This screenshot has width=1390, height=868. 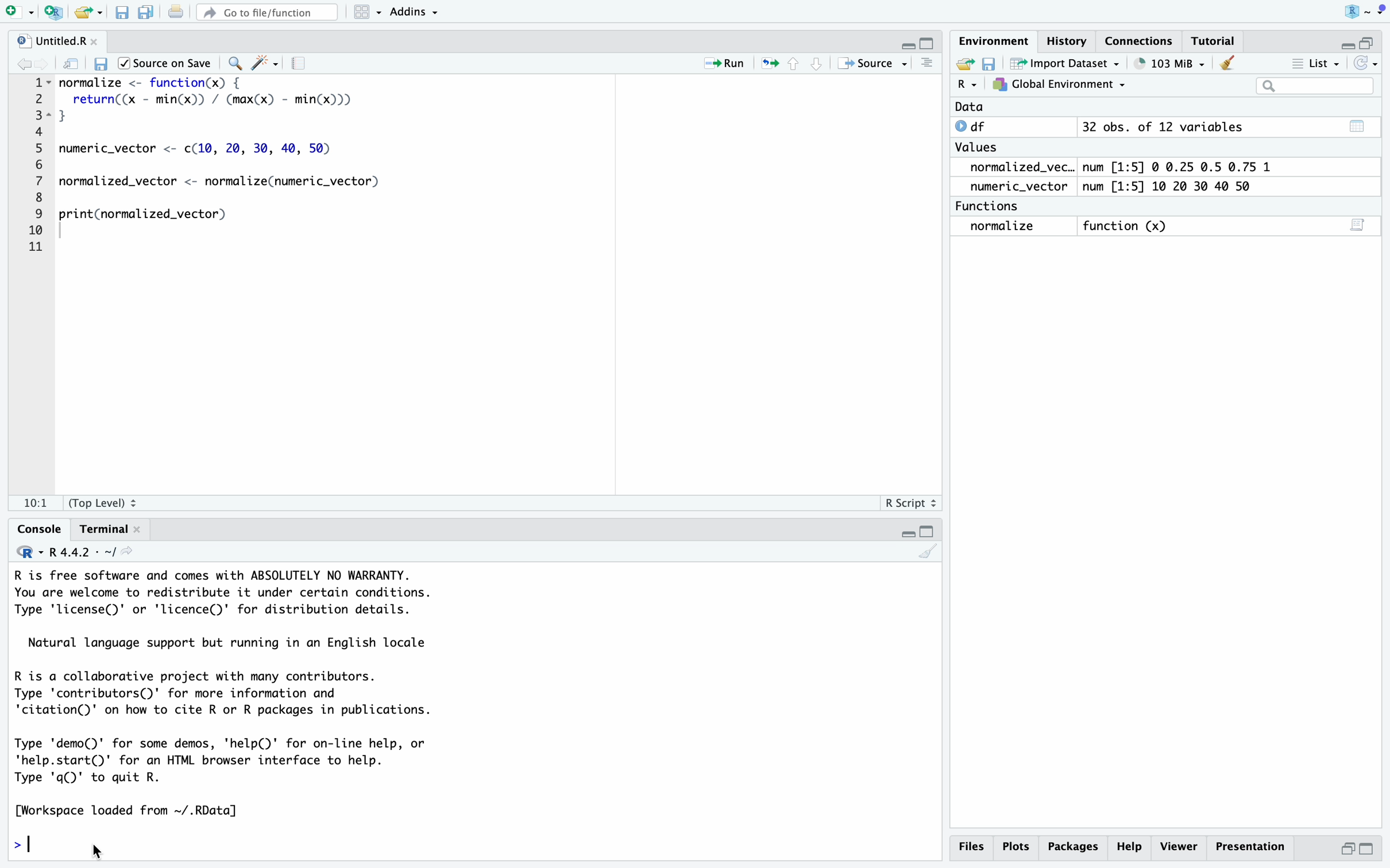 I want to click on Cursor, so click(x=106, y=849).